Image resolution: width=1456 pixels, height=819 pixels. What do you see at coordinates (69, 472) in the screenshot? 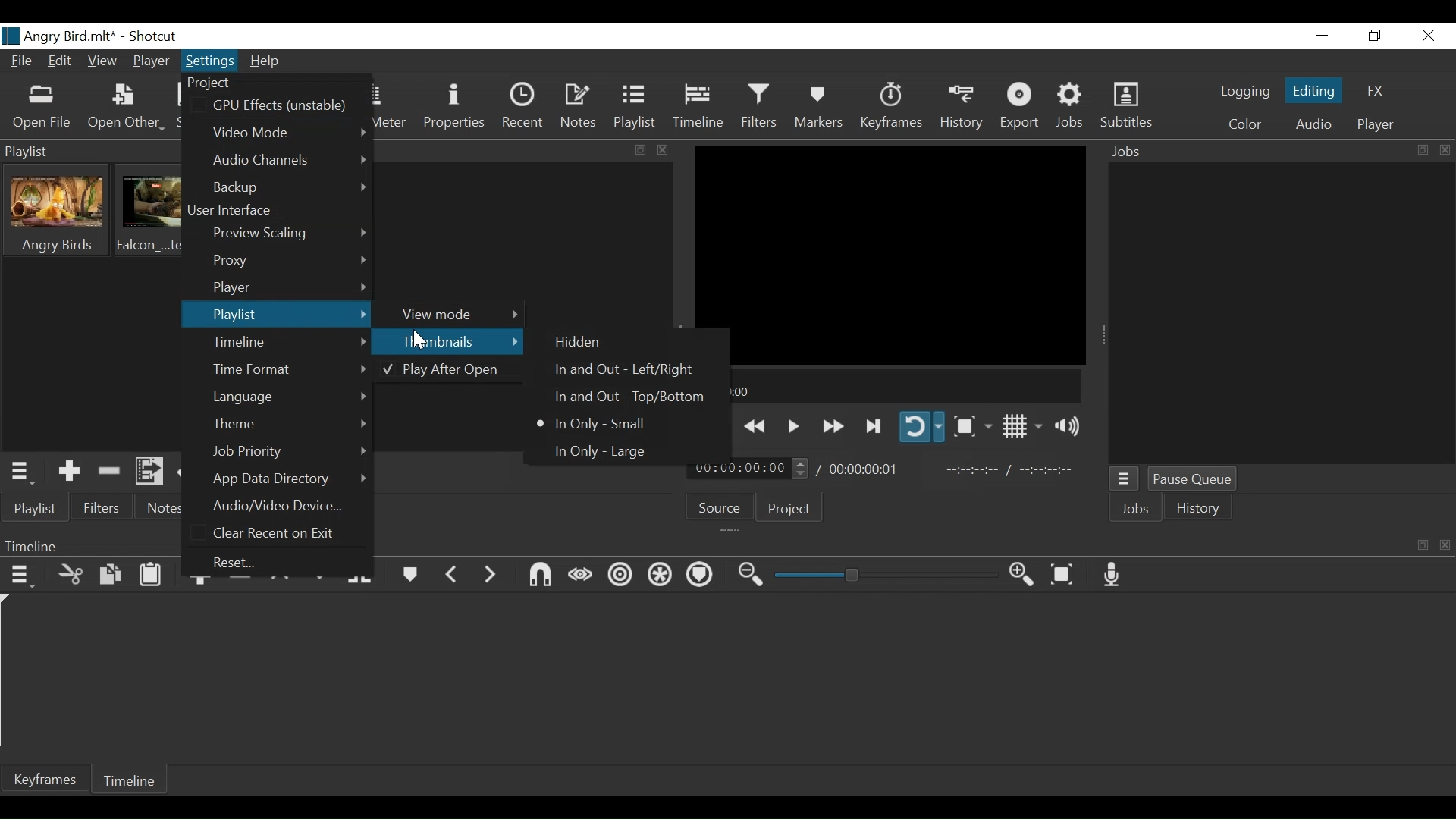
I see `Add the source to the playlist` at bounding box center [69, 472].